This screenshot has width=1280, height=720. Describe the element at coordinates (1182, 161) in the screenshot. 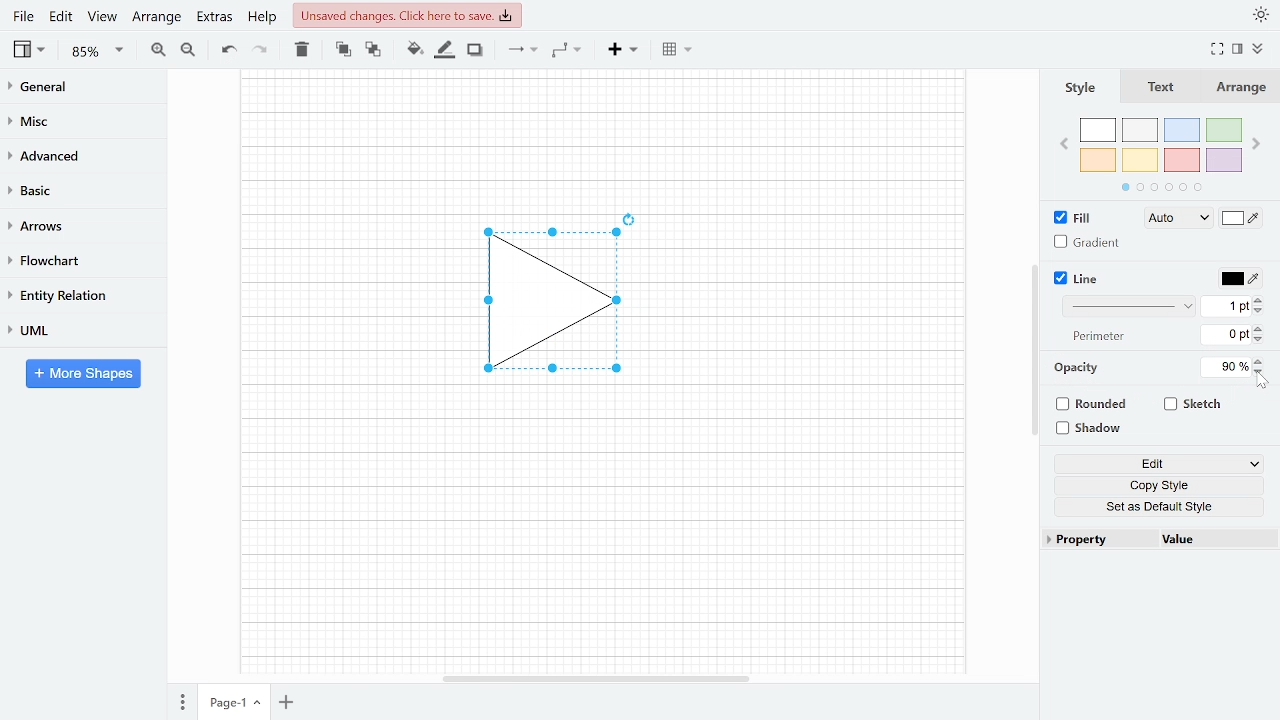

I see `red` at that location.